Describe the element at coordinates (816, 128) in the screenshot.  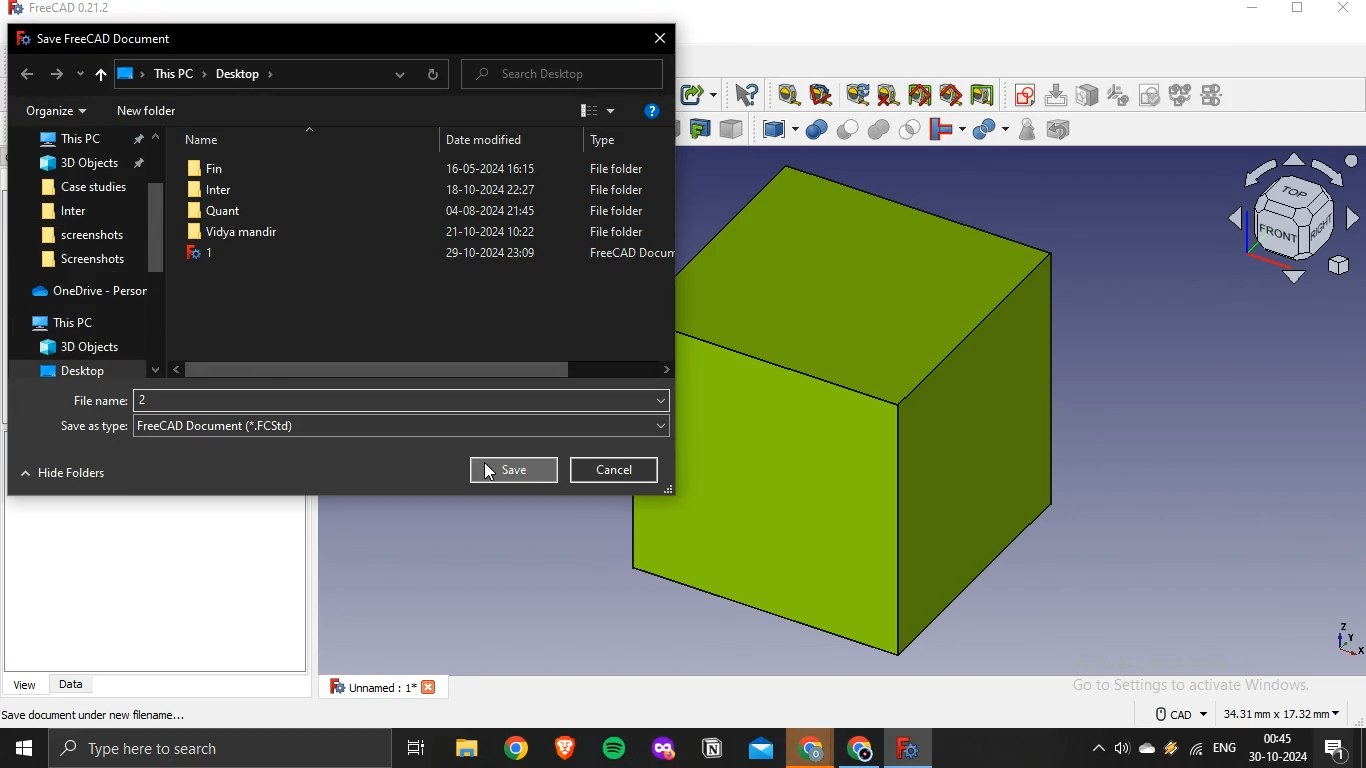
I see `boolean` at that location.